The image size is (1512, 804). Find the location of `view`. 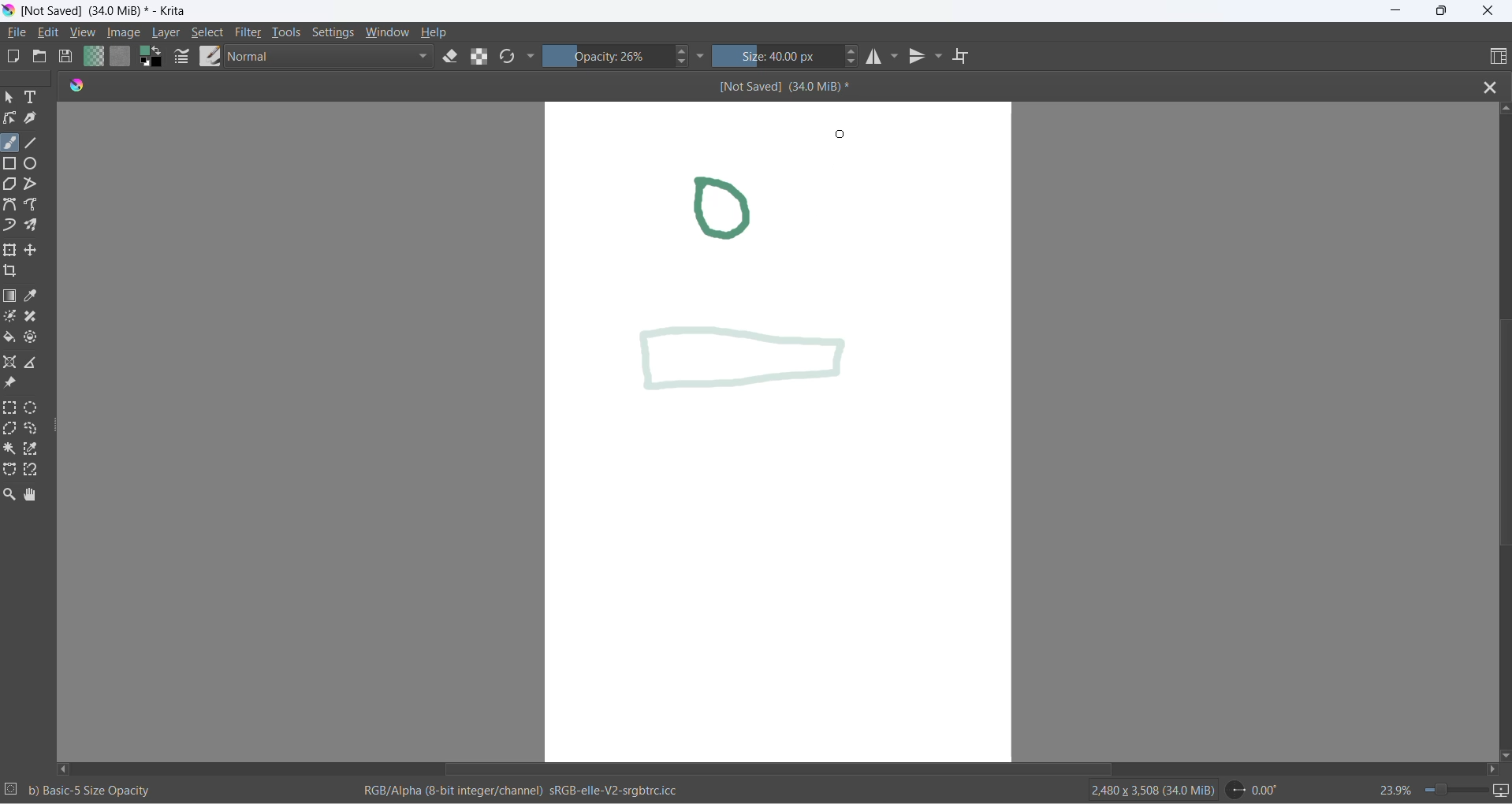

view is located at coordinates (84, 32).